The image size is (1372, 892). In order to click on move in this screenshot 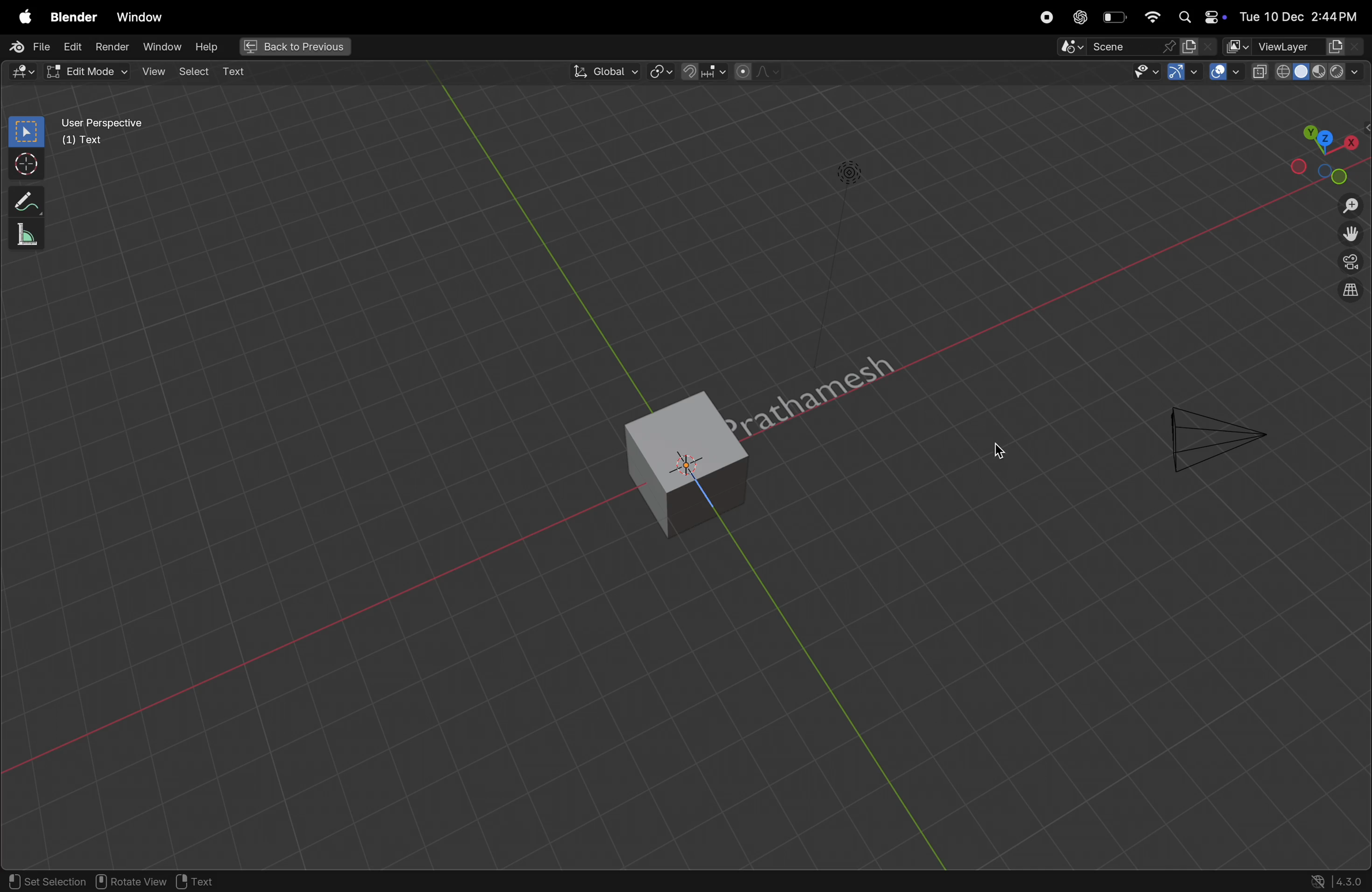, I will do `click(22, 199)`.